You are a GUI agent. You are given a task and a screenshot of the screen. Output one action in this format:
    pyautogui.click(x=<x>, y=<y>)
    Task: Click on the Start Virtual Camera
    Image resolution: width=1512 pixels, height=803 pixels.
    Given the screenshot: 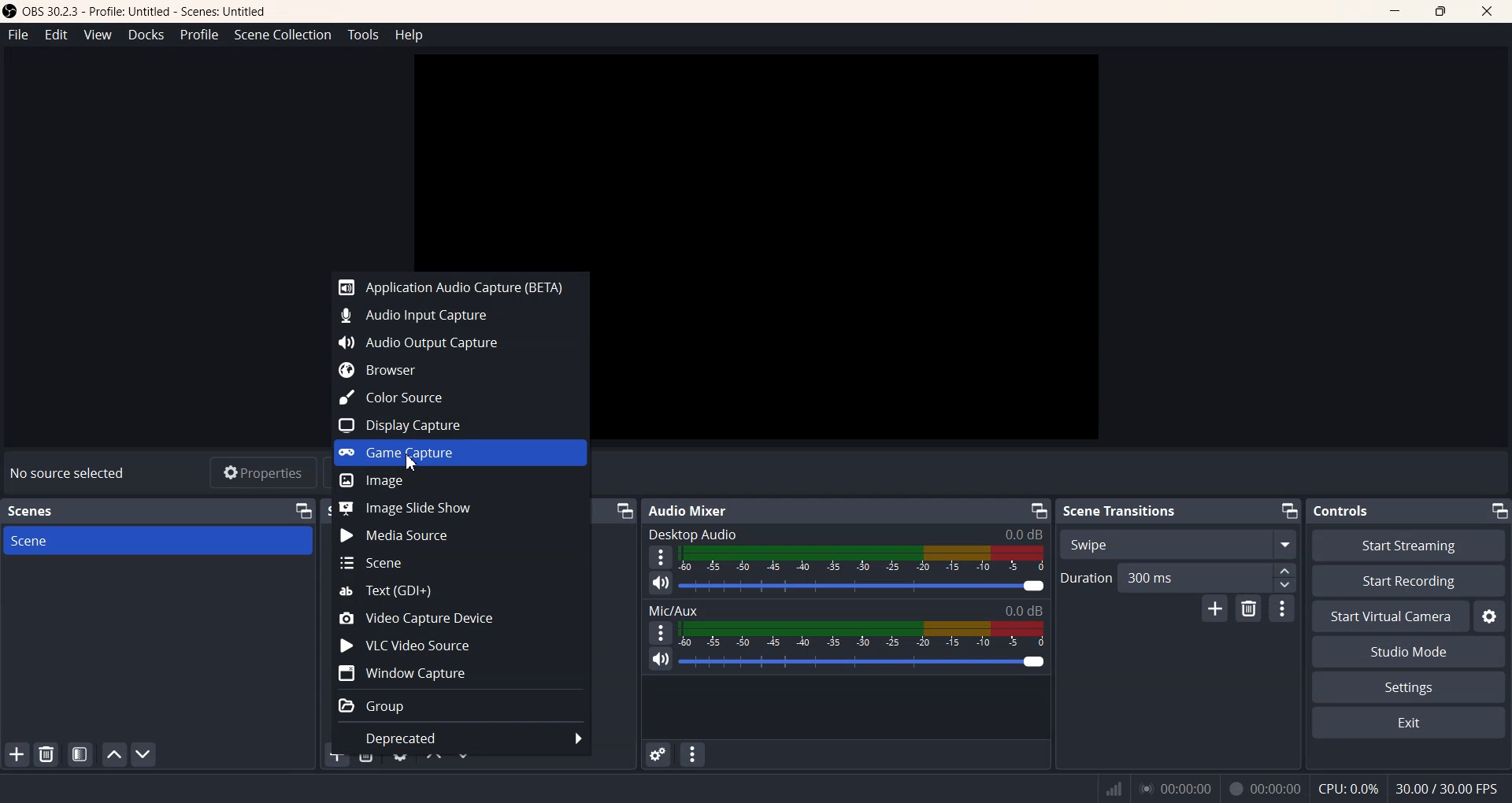 What is the action you would take?
    pyautogui.click(x=1390, y=616)
    